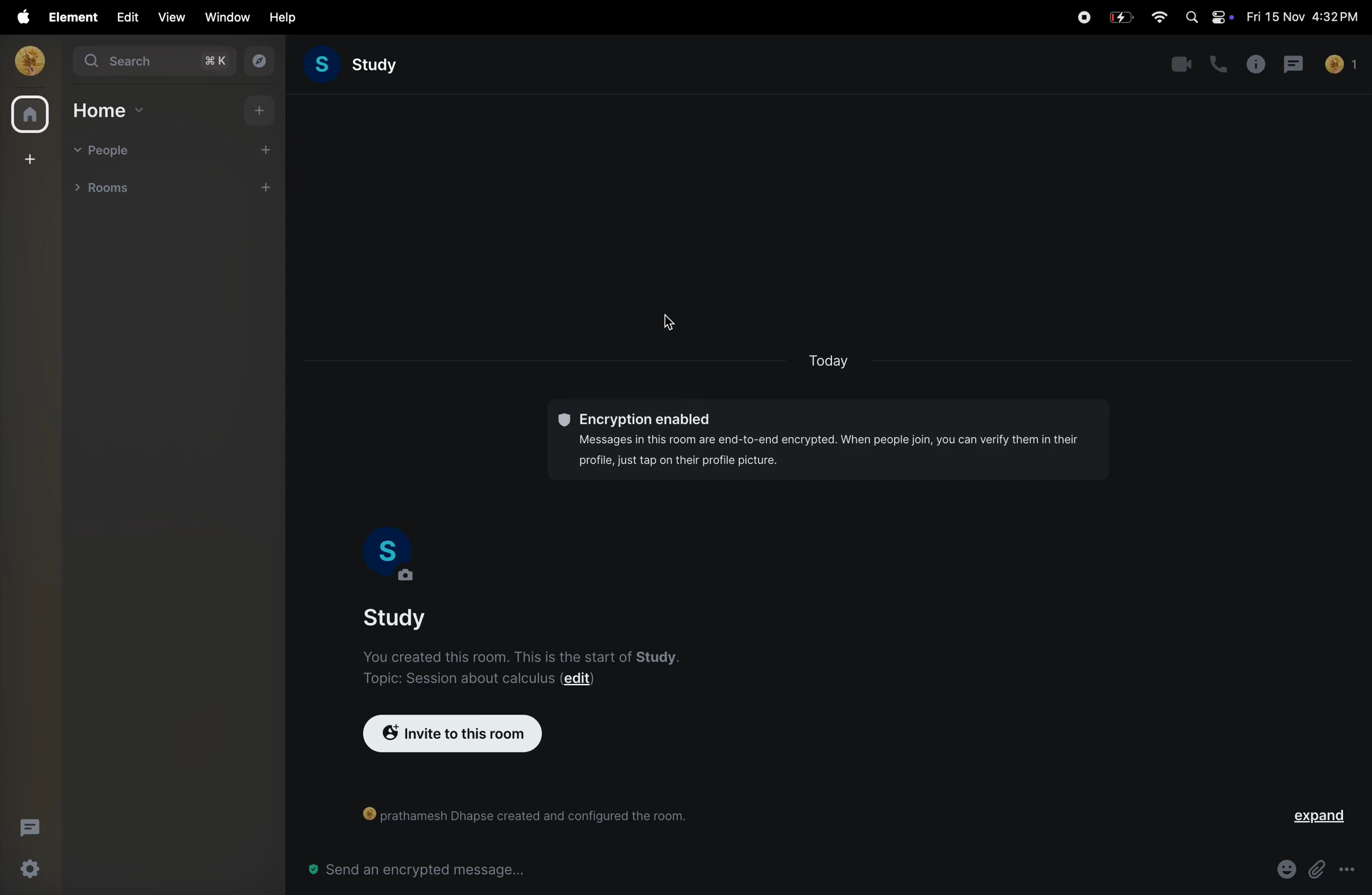  Describe the element at coordinates (125, 17) in the screenshot. I see `edit` at that location.